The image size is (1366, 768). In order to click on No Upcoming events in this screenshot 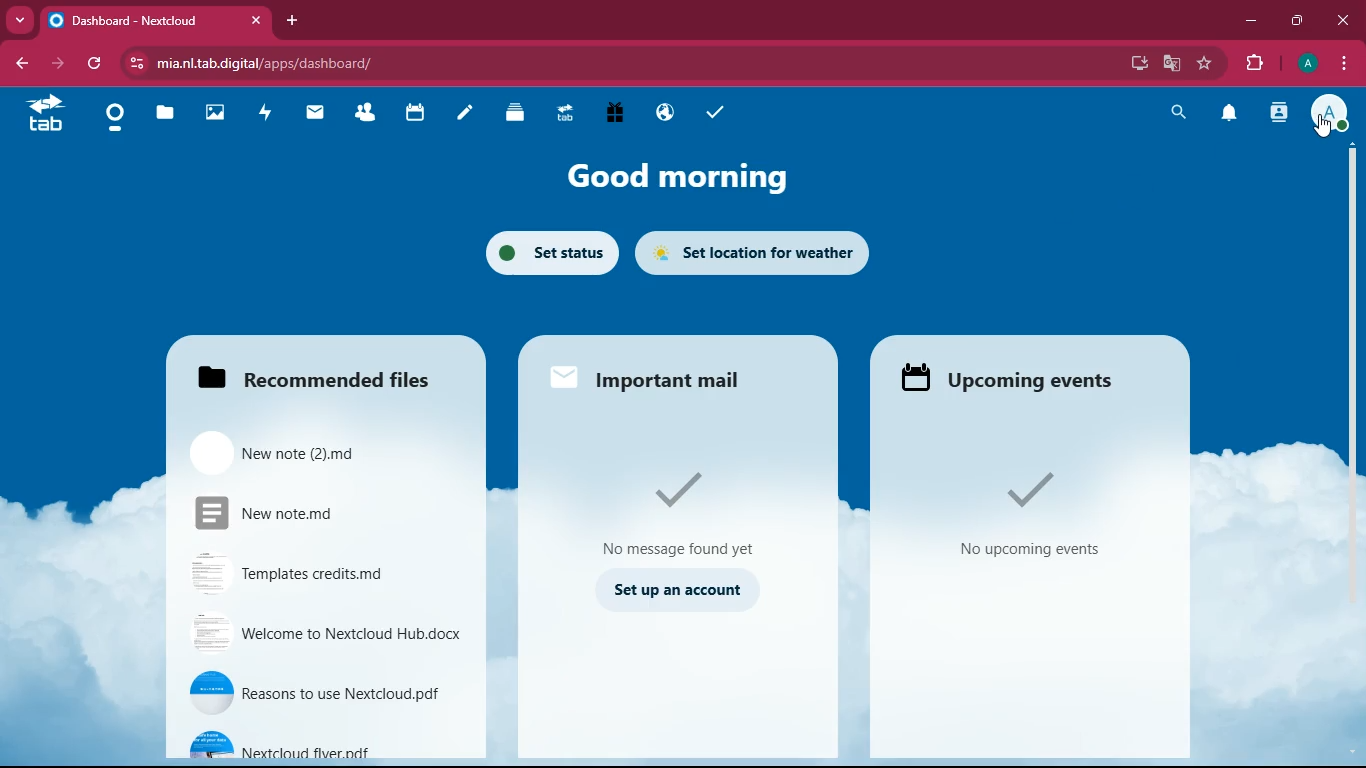, I will do `click(1028, 553)`.